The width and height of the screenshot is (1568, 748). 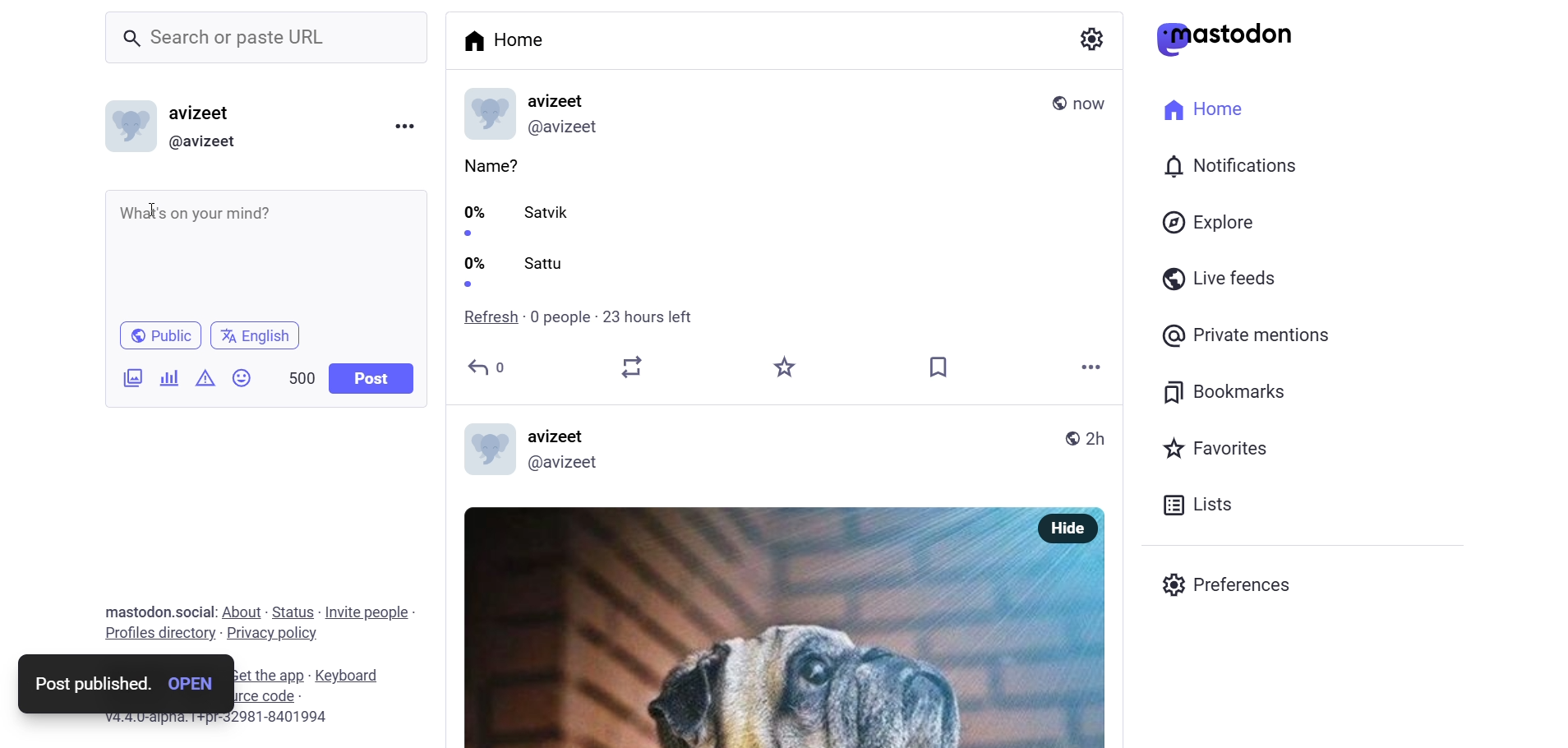 I want to click on status, so click(x=293, y=612).